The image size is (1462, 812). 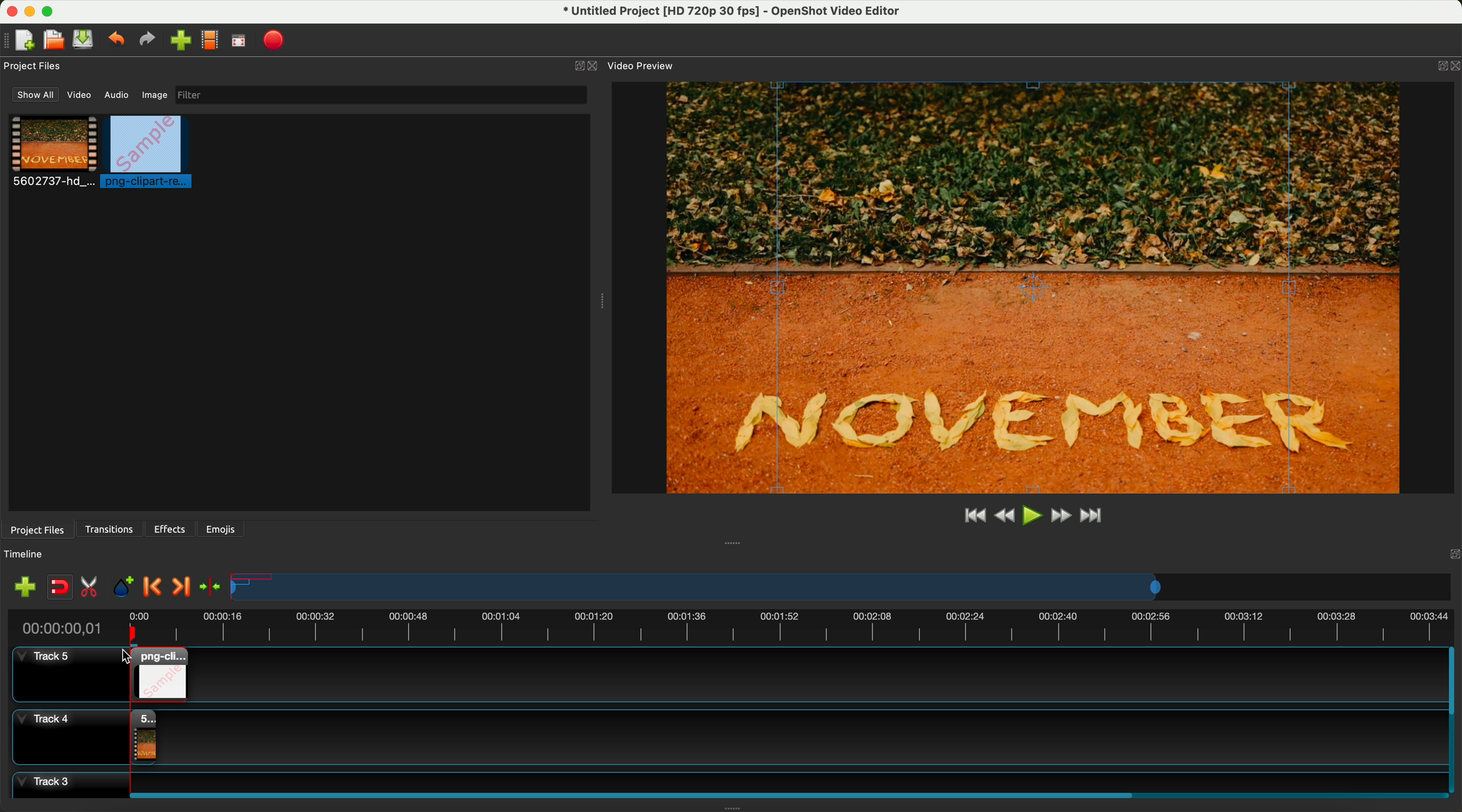 I want to click on previous marker, so click(x=156, y=587).